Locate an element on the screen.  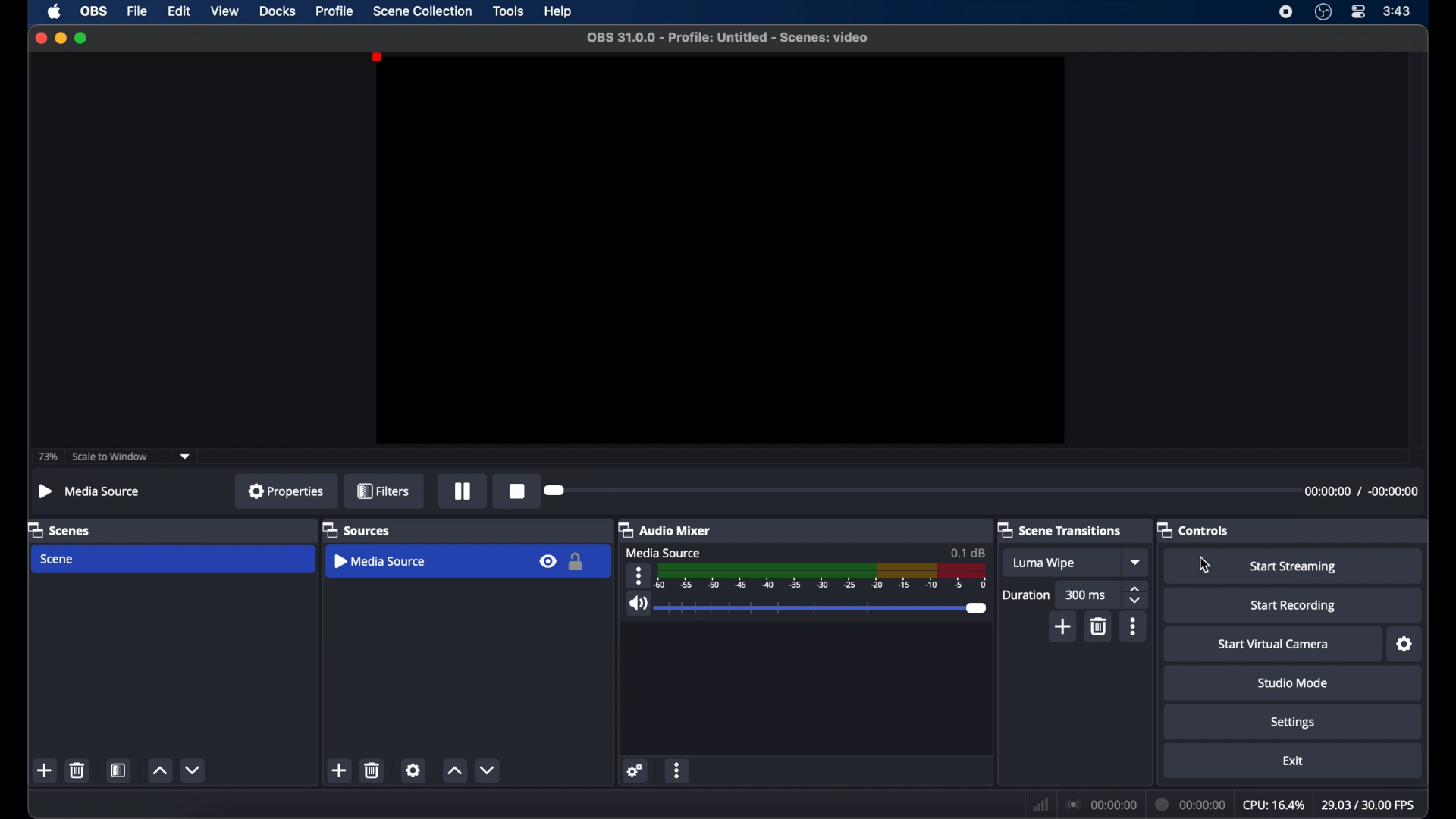
edit is located at coordinates (178, 11).